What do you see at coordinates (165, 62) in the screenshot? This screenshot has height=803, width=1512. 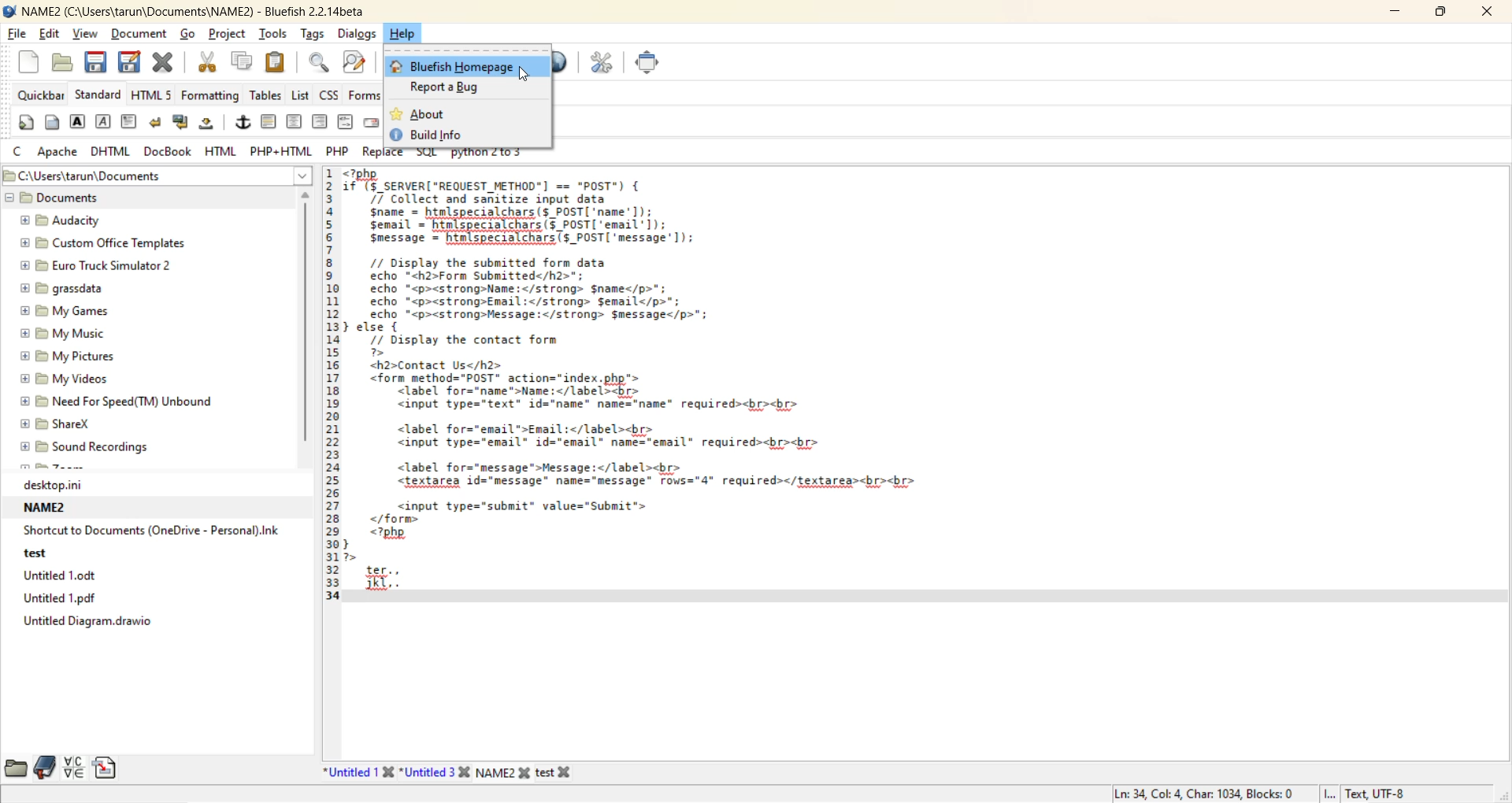 I see `close file` at bounding box center [165, 62].